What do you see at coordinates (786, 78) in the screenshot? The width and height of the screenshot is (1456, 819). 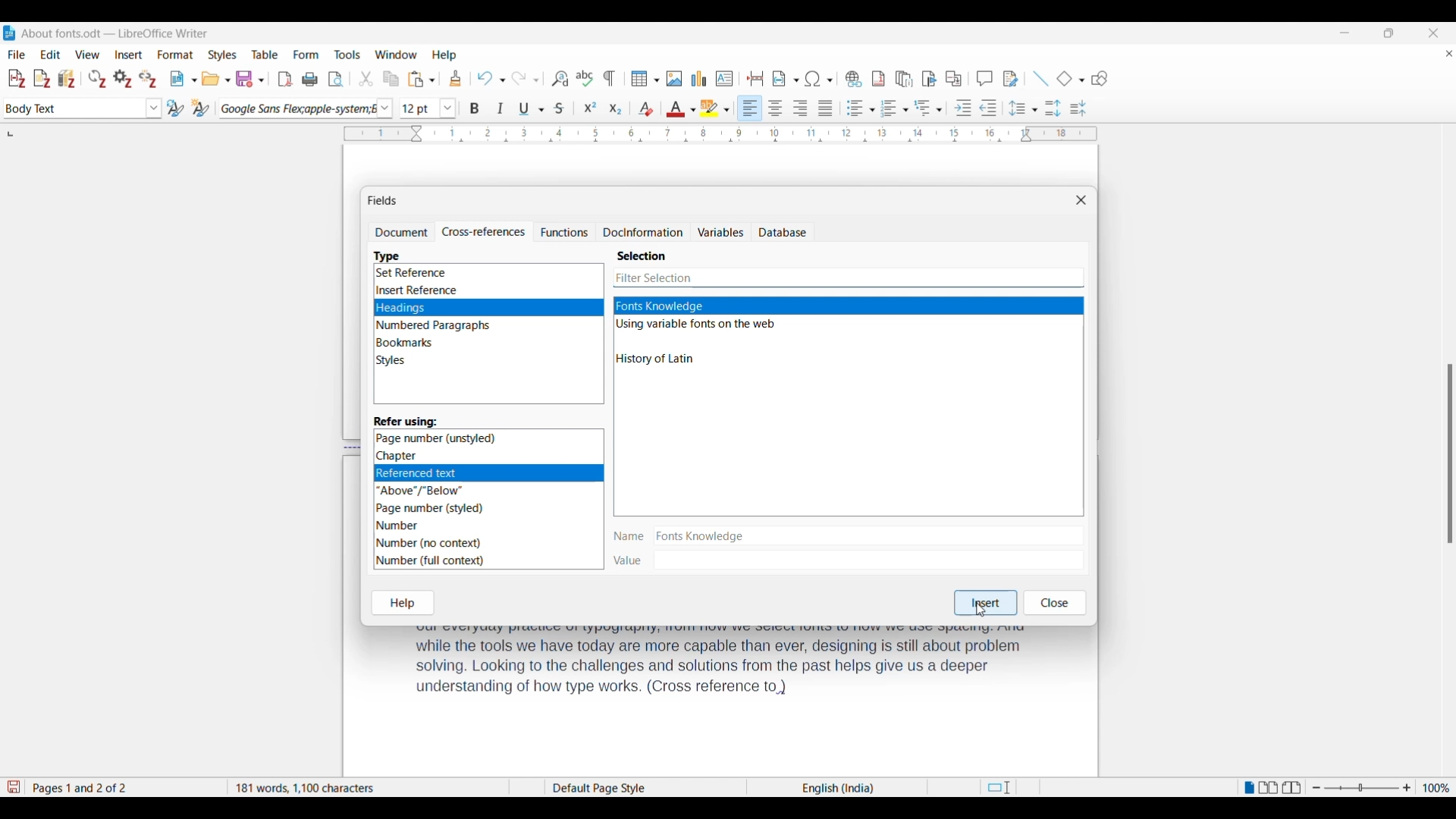 I see `Insert field options` at bounding box center [786, 78].